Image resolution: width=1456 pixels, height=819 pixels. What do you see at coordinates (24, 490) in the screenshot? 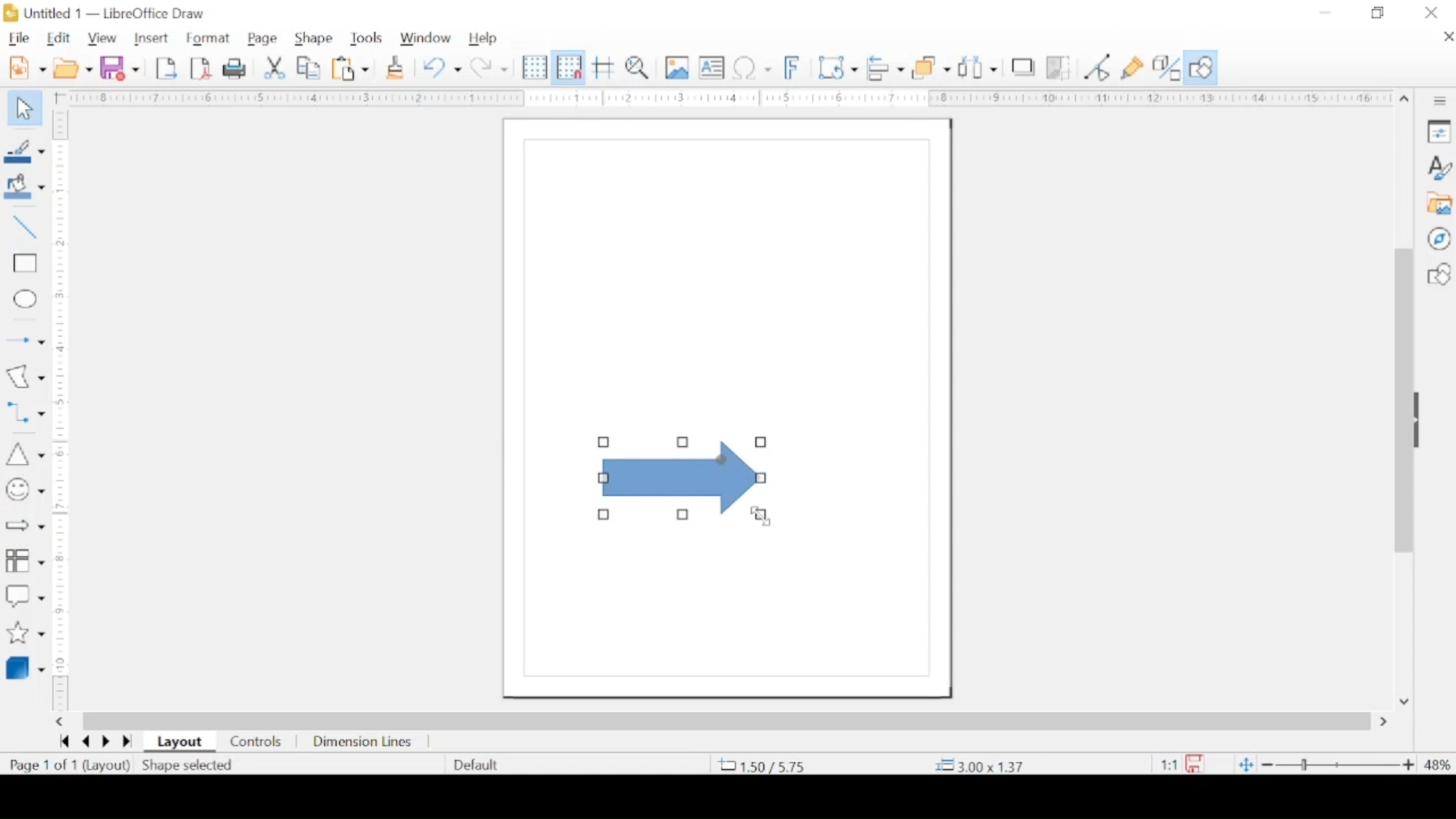
I see `symbols` at bounding box center [24, 490].